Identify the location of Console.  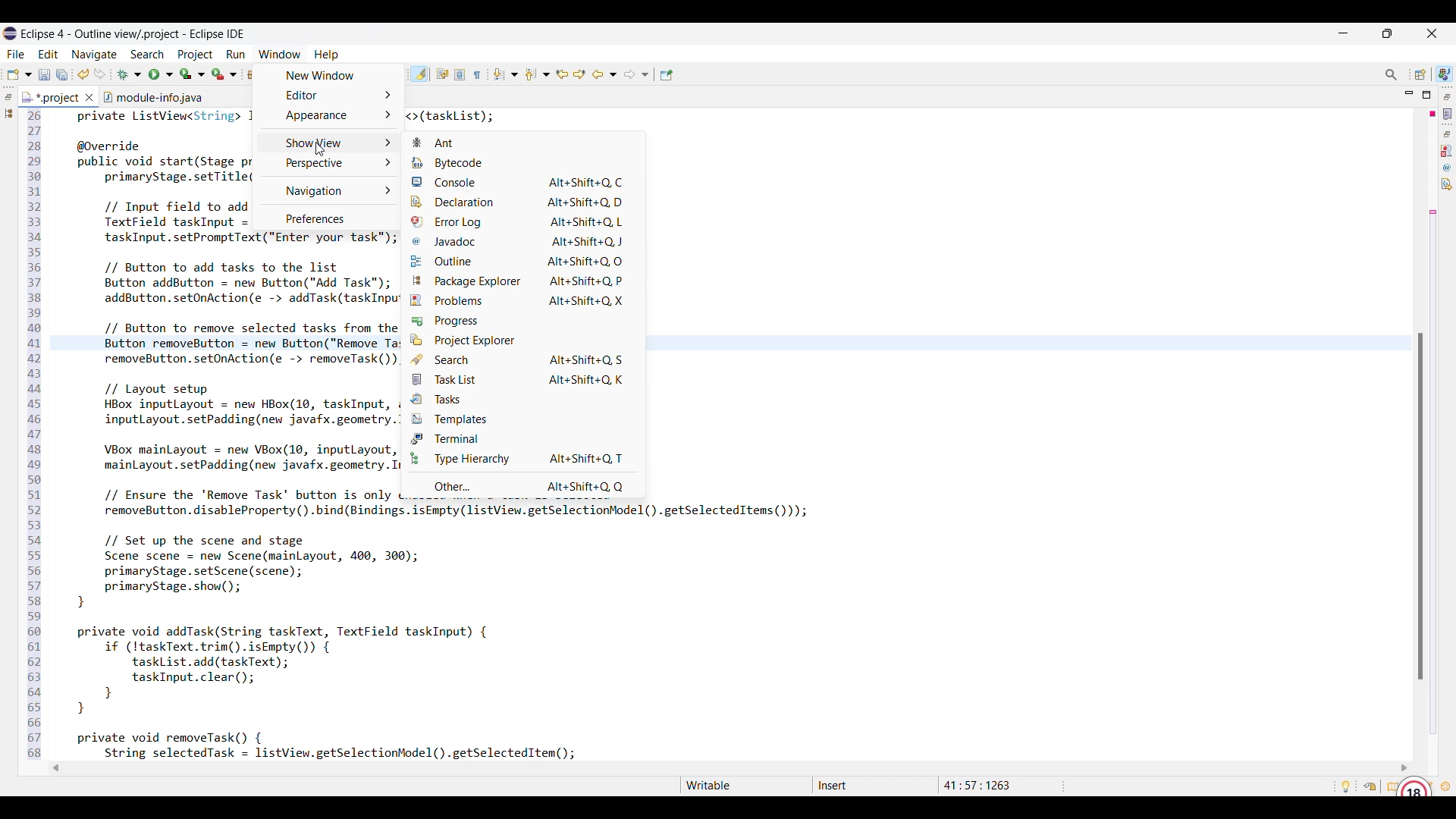
(521, 182).